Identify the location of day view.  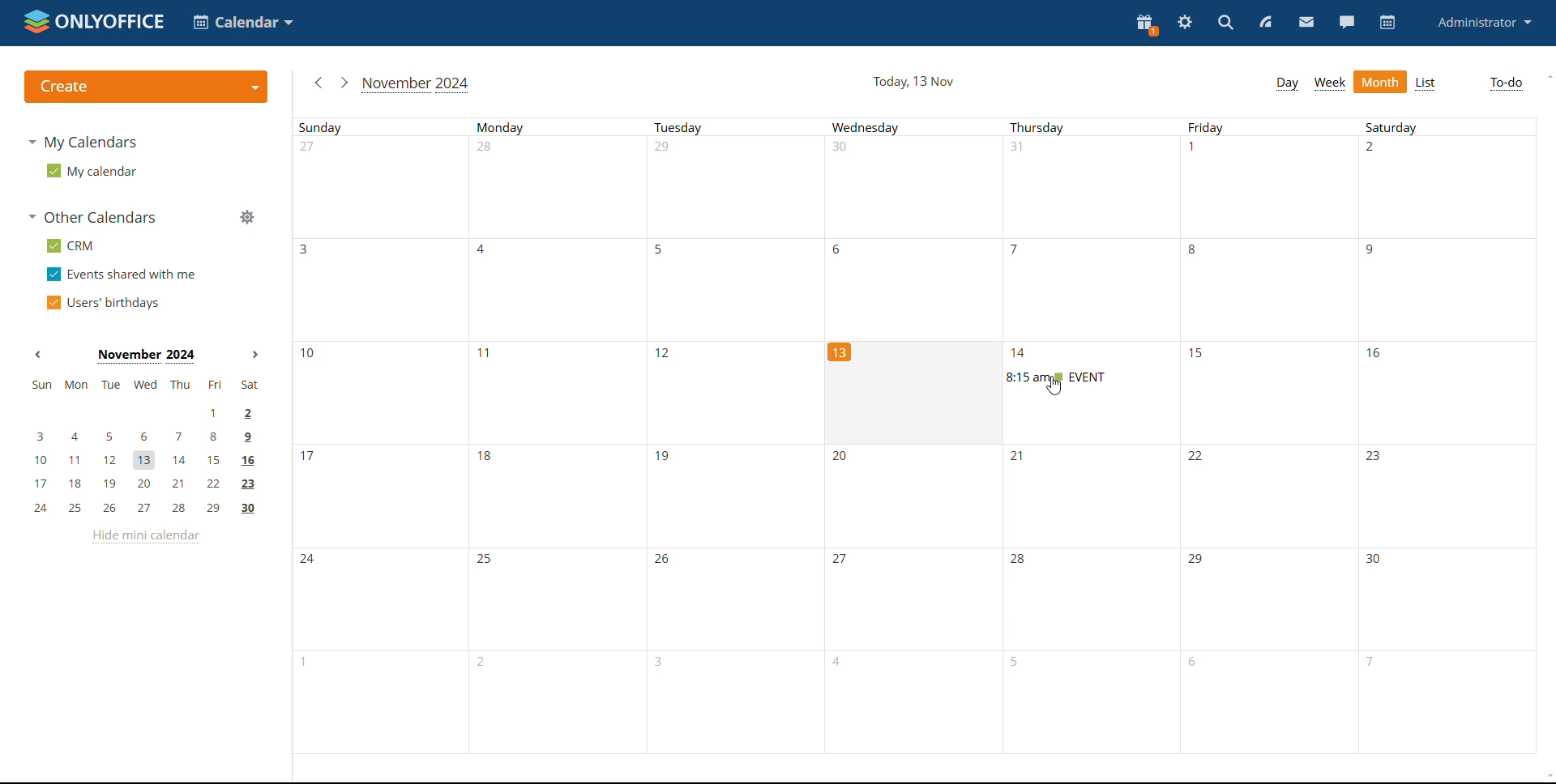
(1286, 83).